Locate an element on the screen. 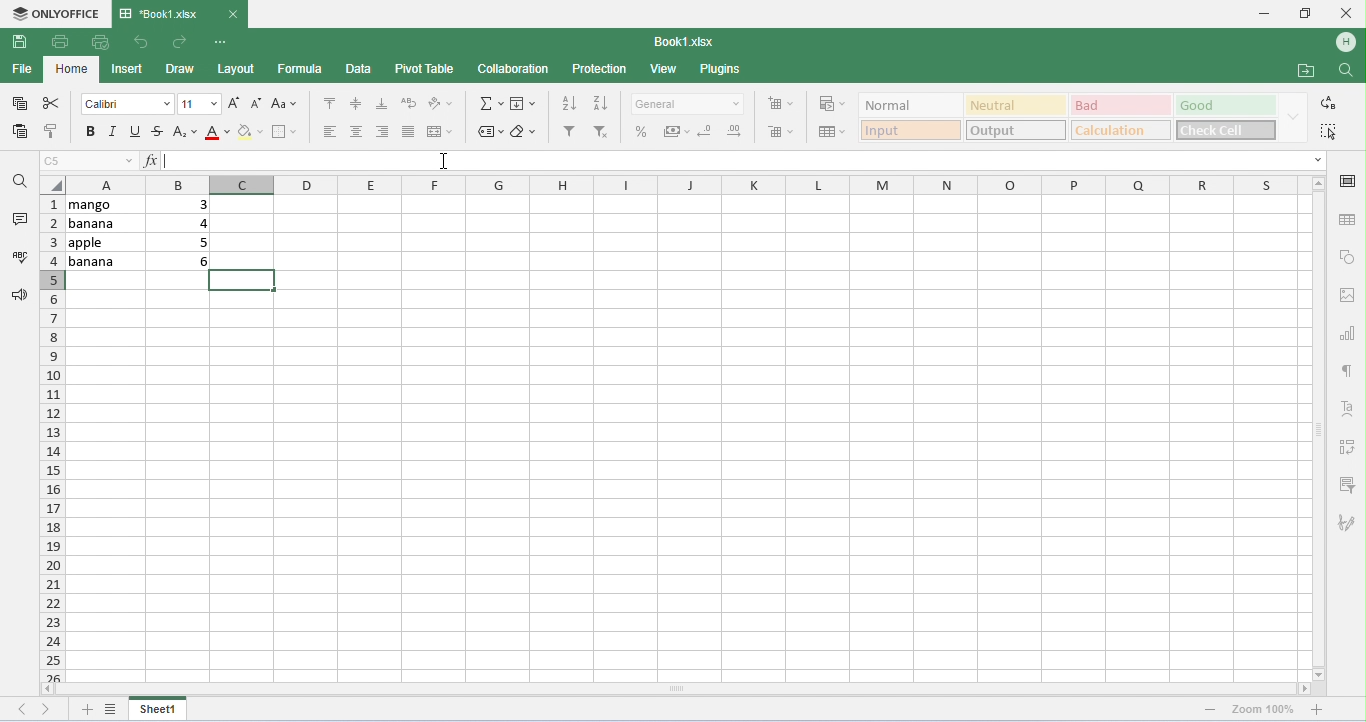 The height and width of the screenshot is (722, 1366). delete cells is located at coordinates (779, 132).